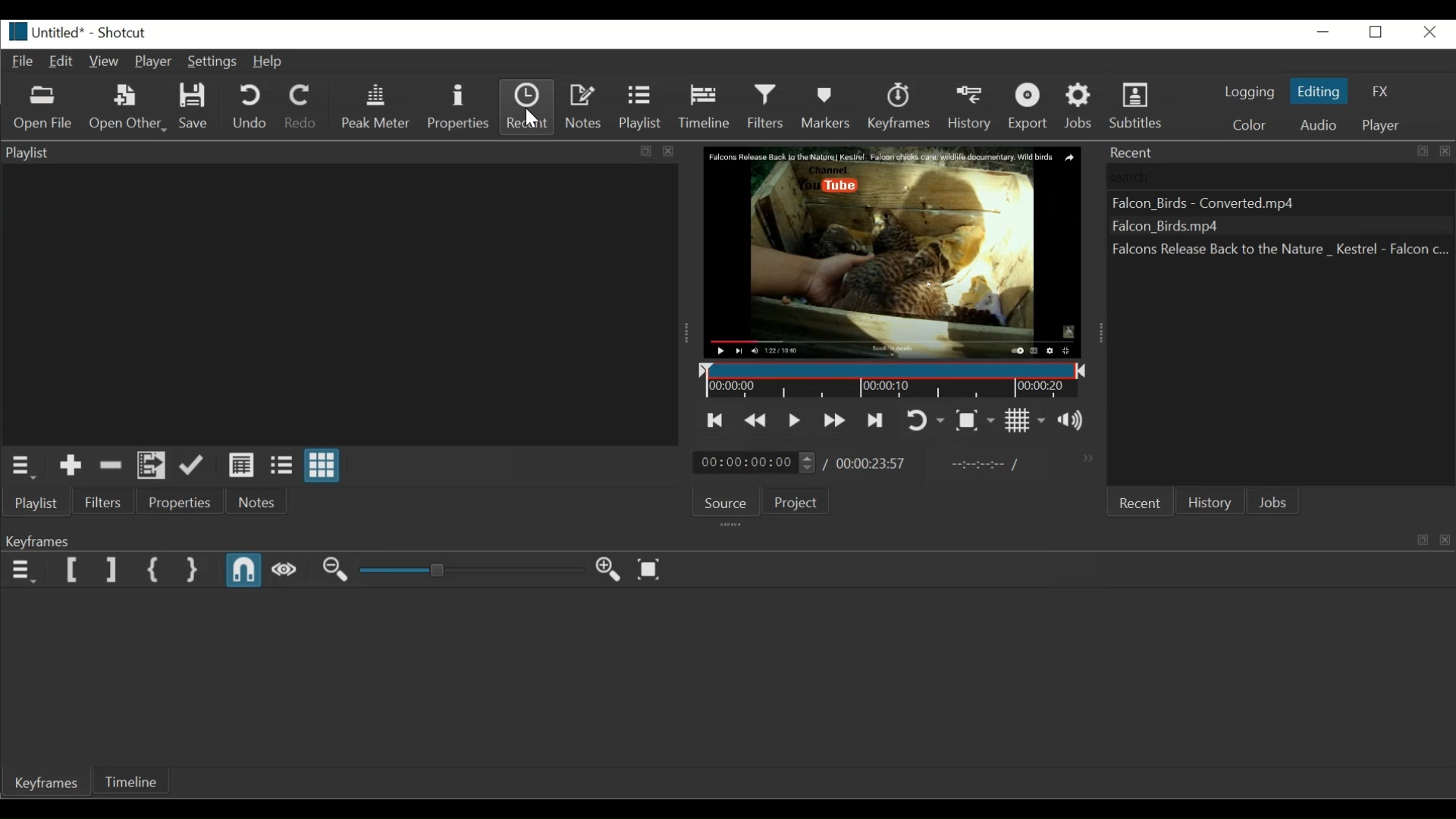  I want to click on logging, so click(1253, 93).